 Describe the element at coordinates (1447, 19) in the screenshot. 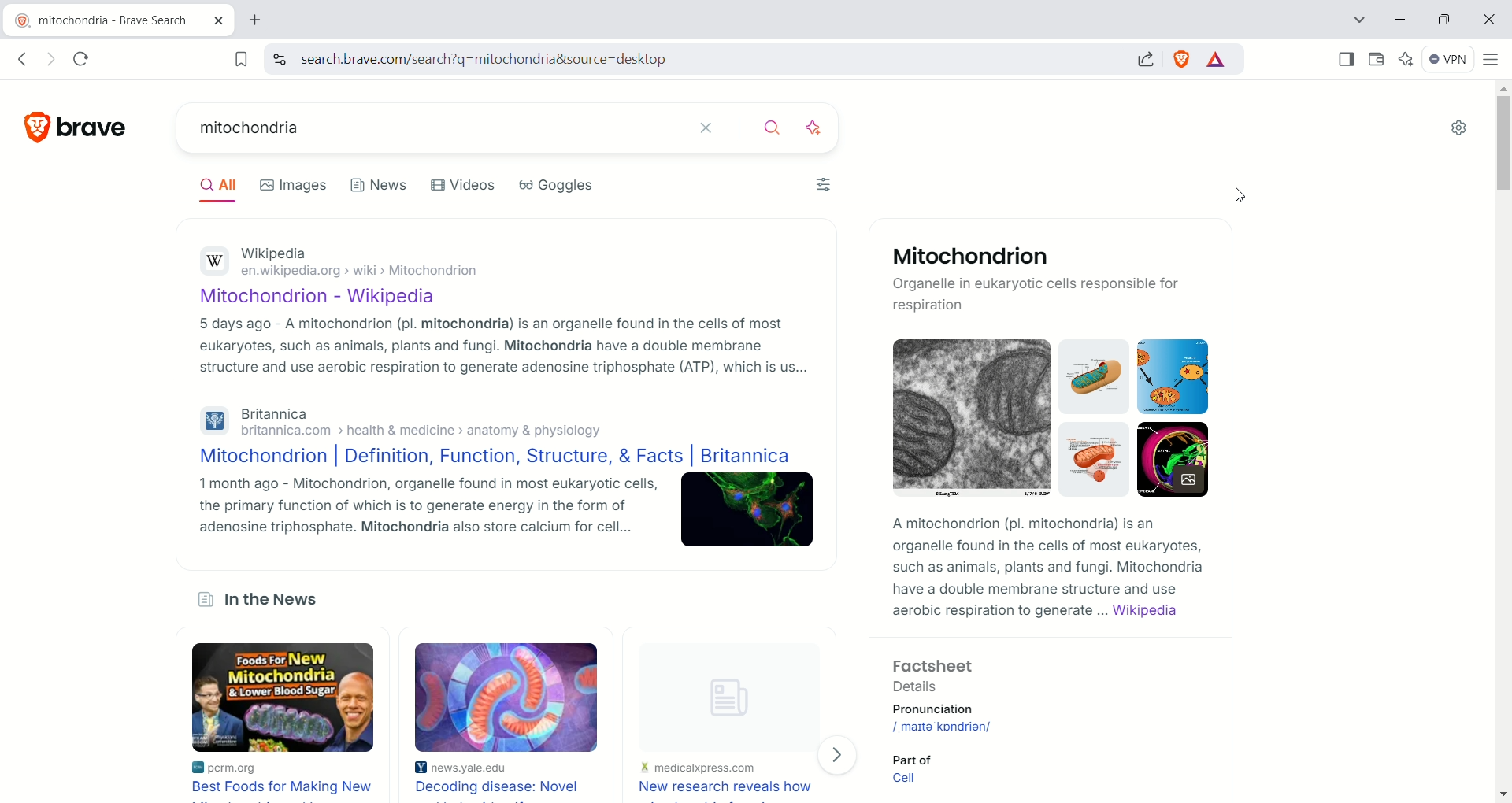

I see `Restore down` at that location.